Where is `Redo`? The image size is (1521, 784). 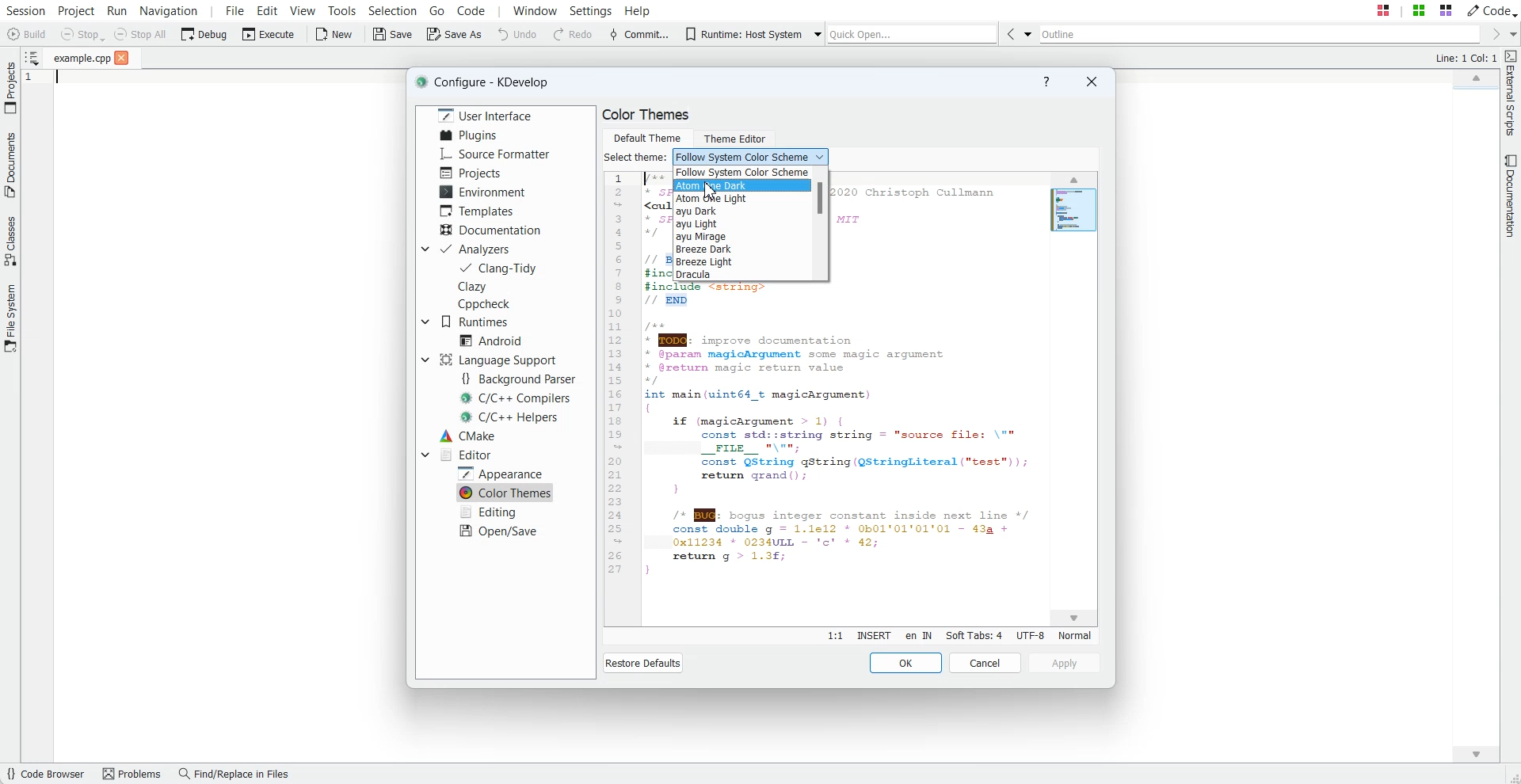 Redo is located at coordinates (574, 35).